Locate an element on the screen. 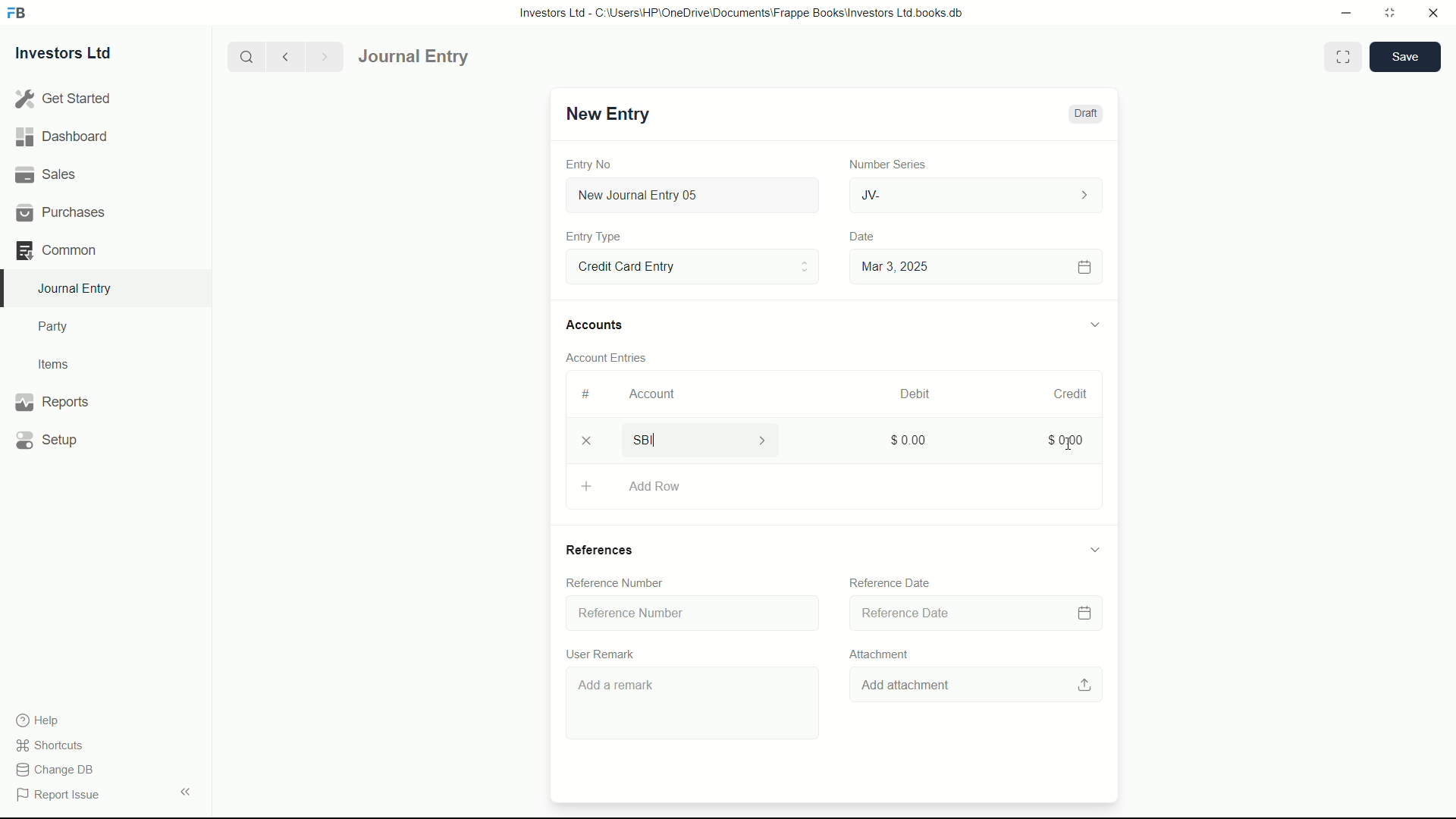 This screenshot has height=819, width=1456. Attachment is located at coordinates (875, 653).